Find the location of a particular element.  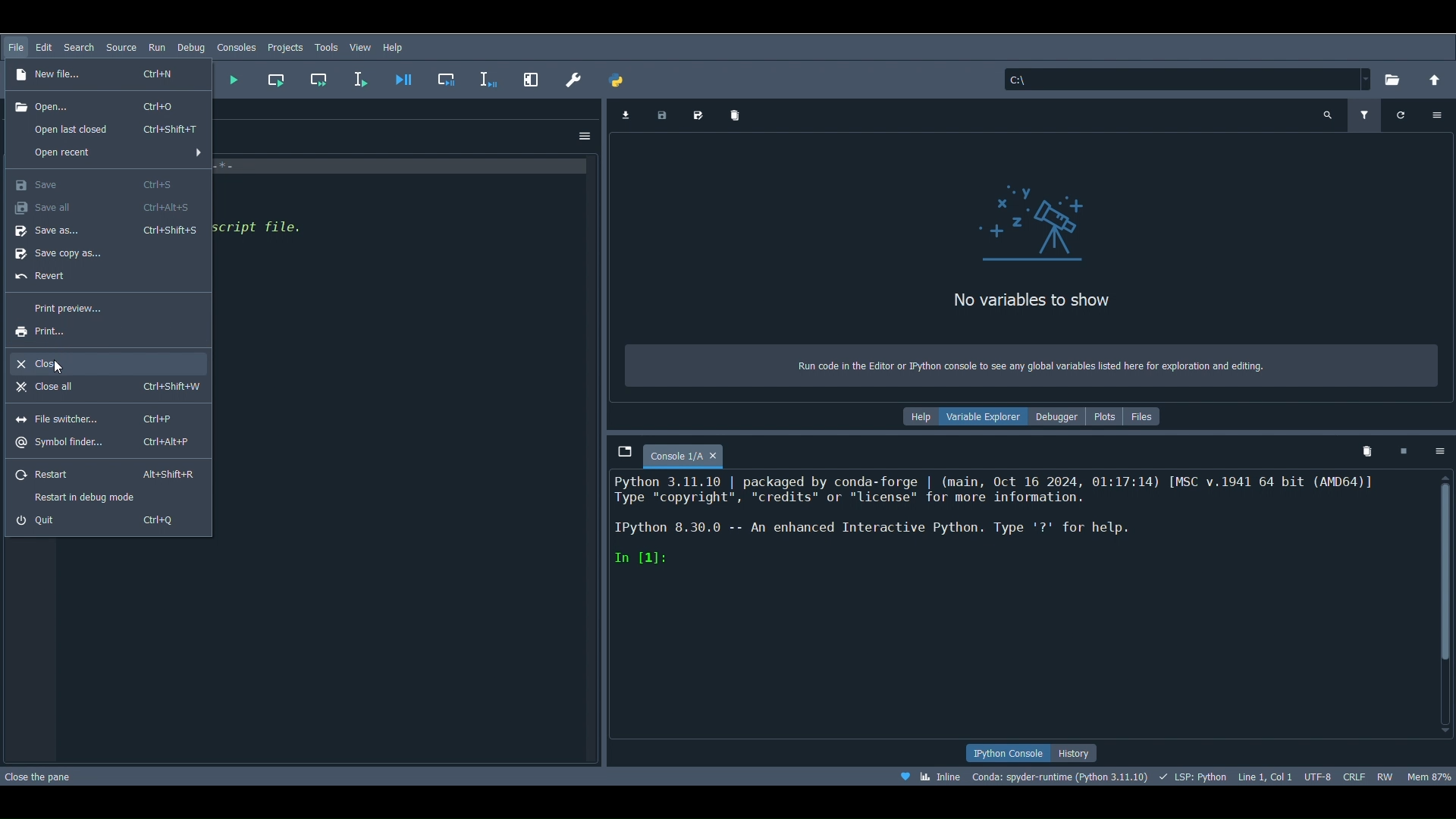

Reset is located at coordinates (49, 278).